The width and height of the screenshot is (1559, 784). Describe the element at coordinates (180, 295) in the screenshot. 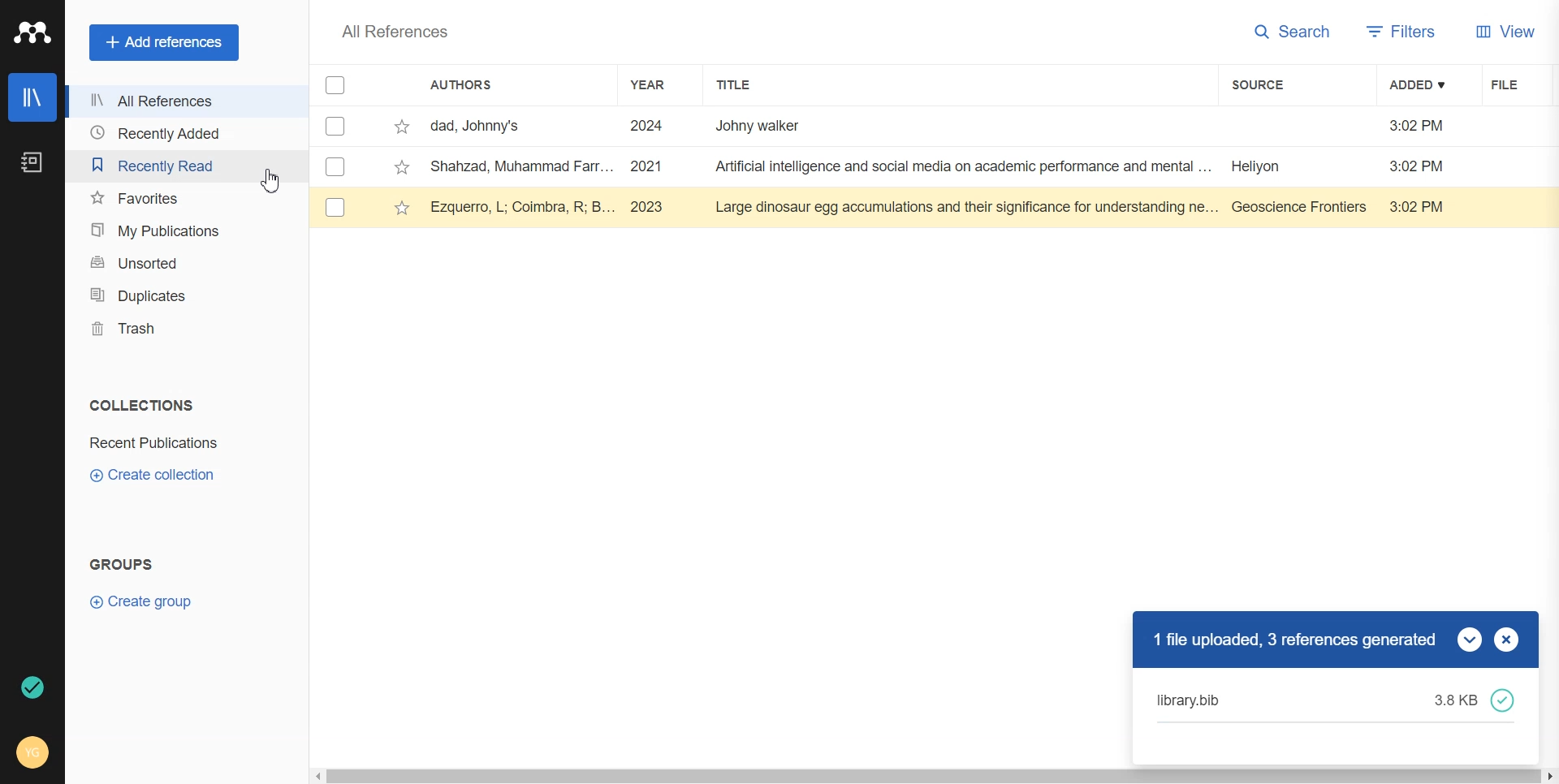

I see `Duplicates` at that location.